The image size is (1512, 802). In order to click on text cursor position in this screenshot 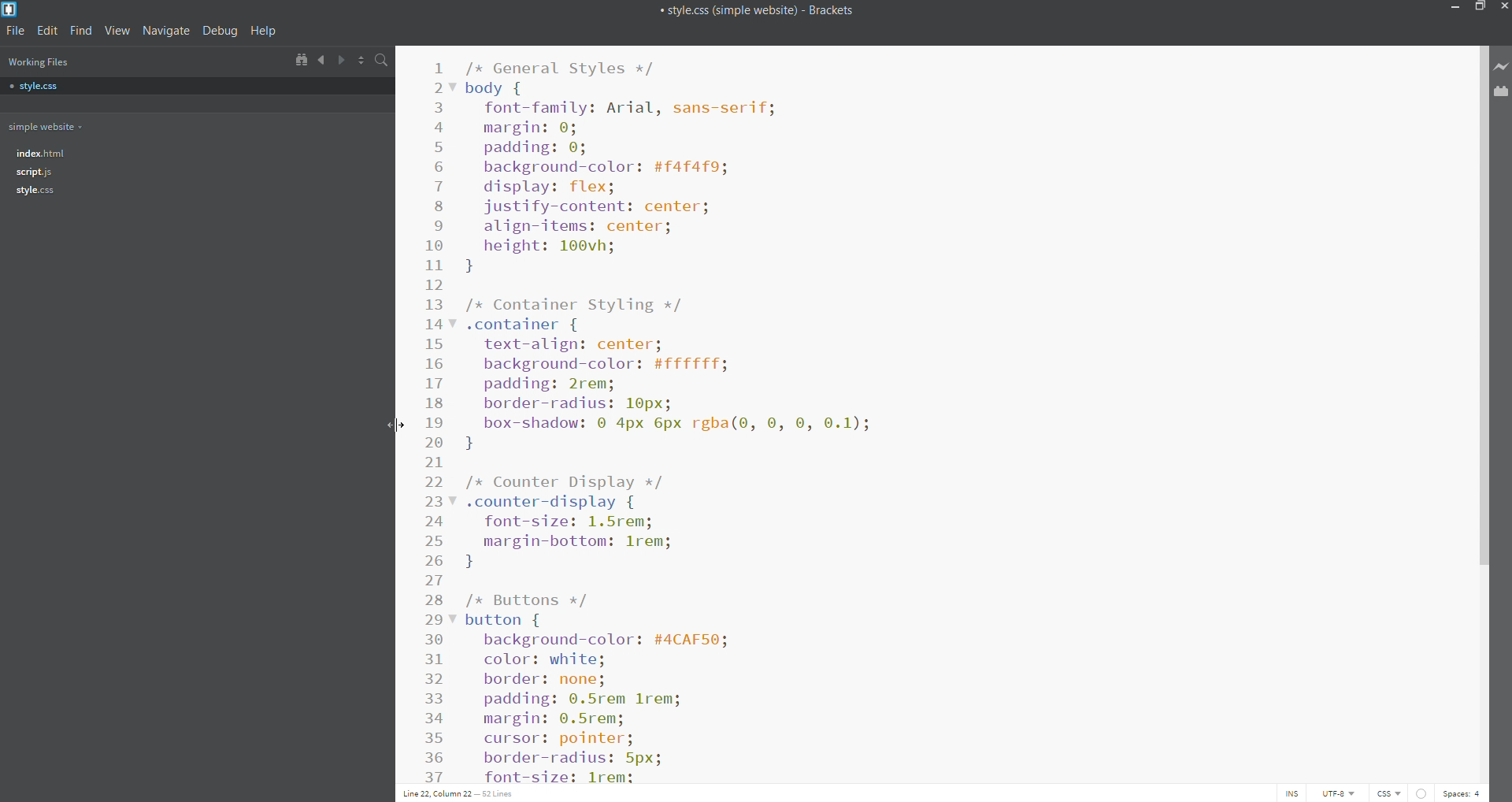, I will do `click(461, 795)`.